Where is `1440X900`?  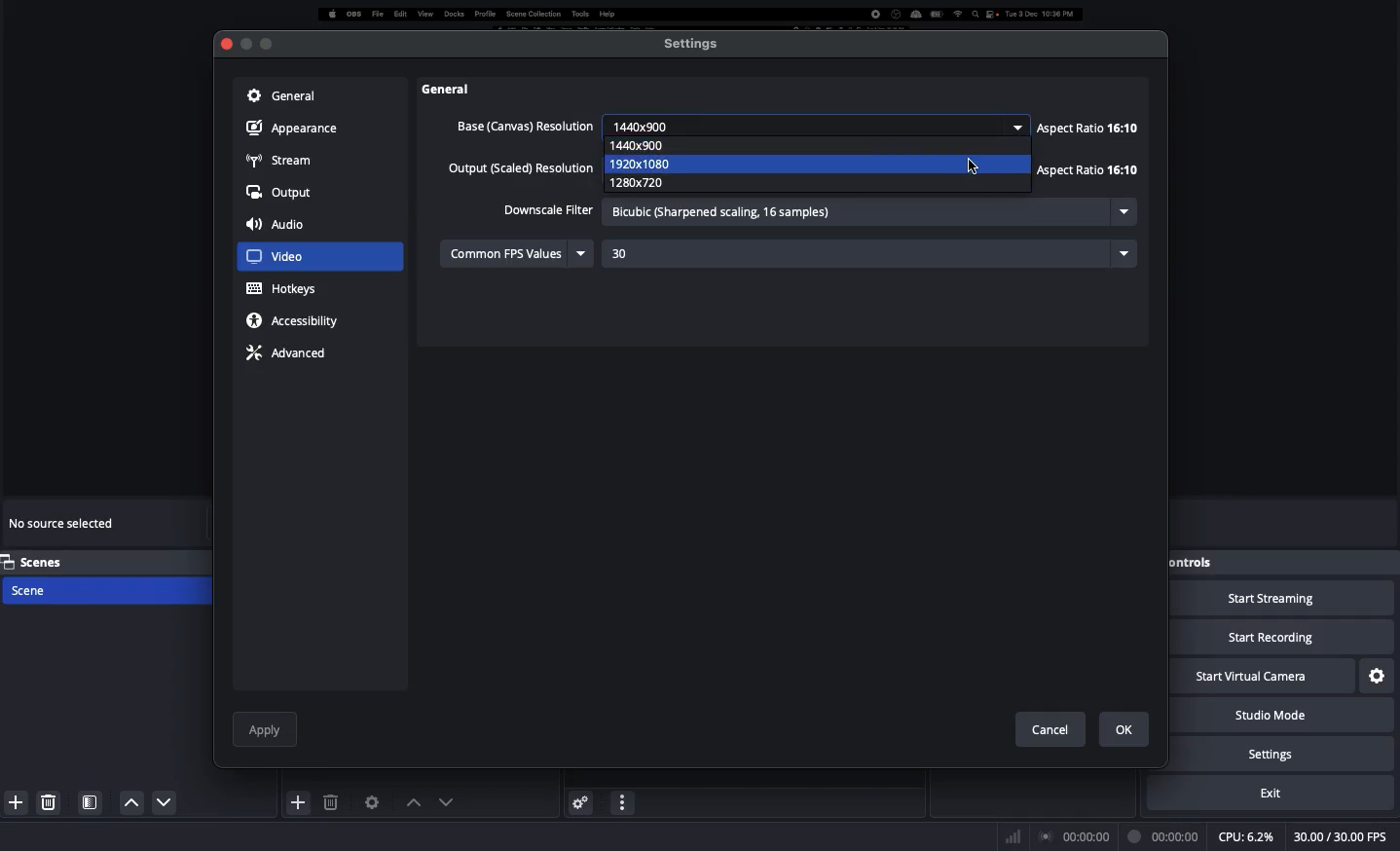
1440X900 is located at coordinates (649, 145).